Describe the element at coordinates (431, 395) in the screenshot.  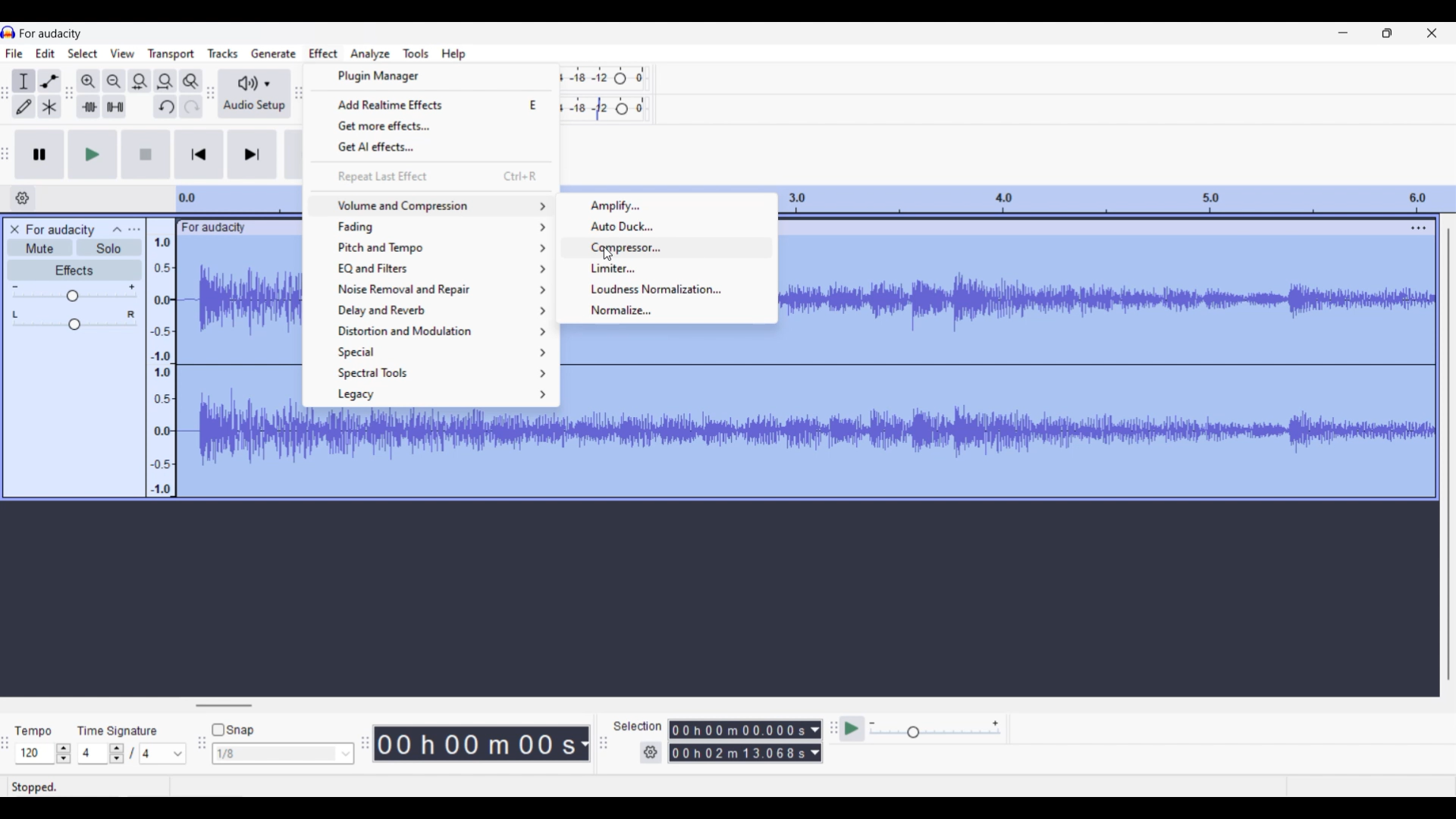
I see `Legacy` at that location.